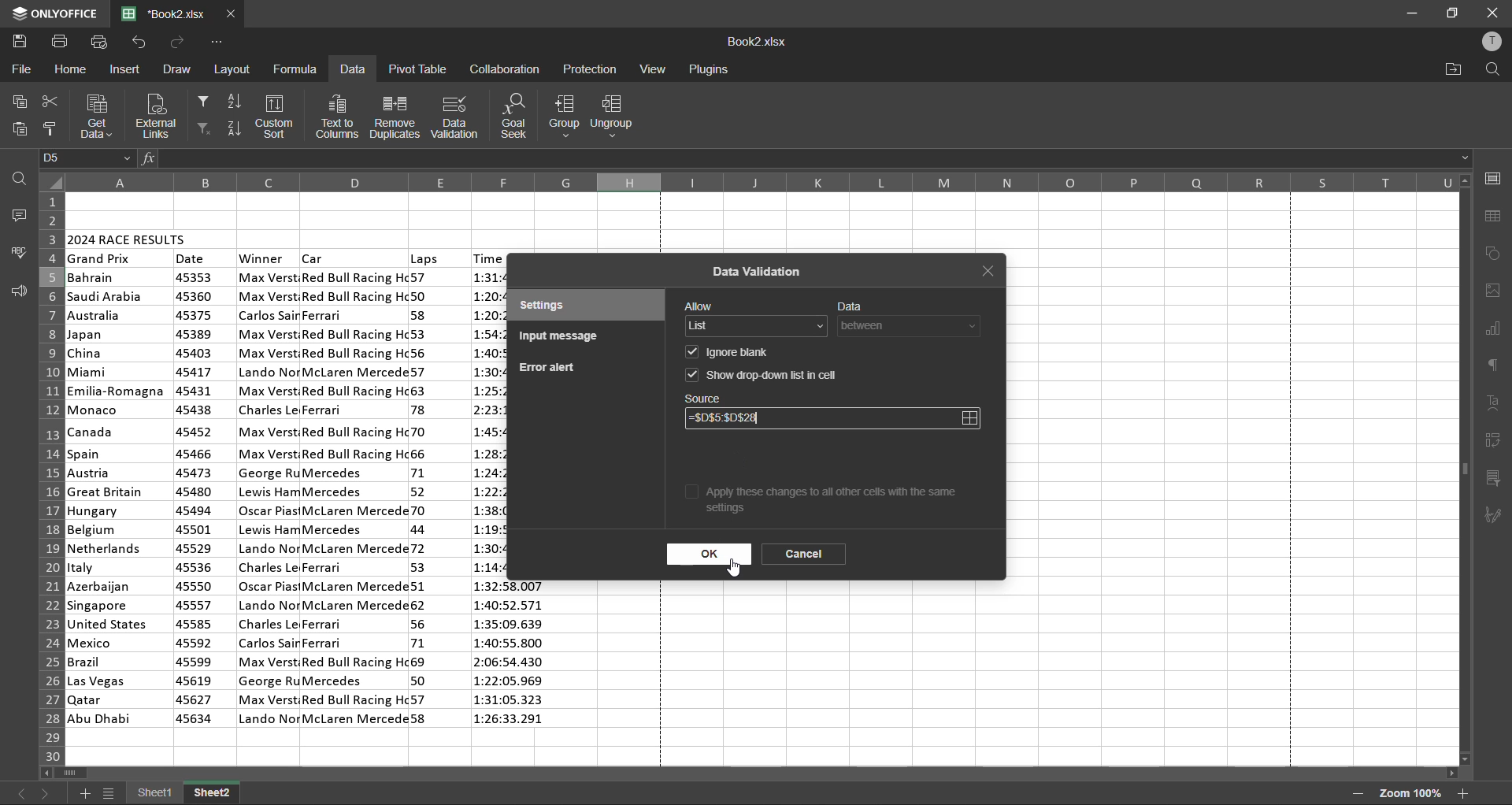 The width and height of the screenshot is (1512, 805). What do you see at coordinates (203, 129) in the screenshot?
I see `clear filter` at bounding box center [203, 129].